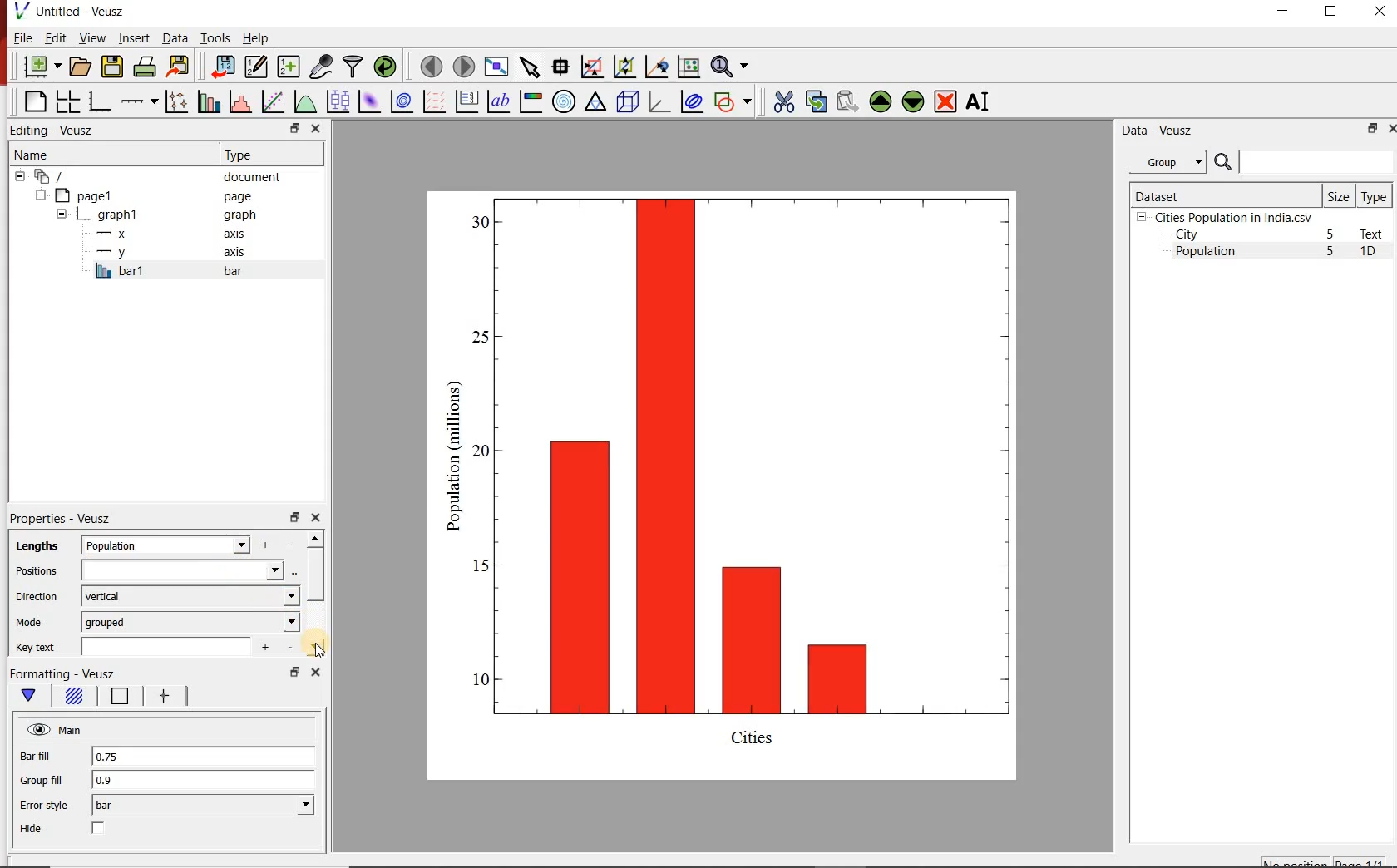  I want to click on move to the previous page, so click(429, 65).